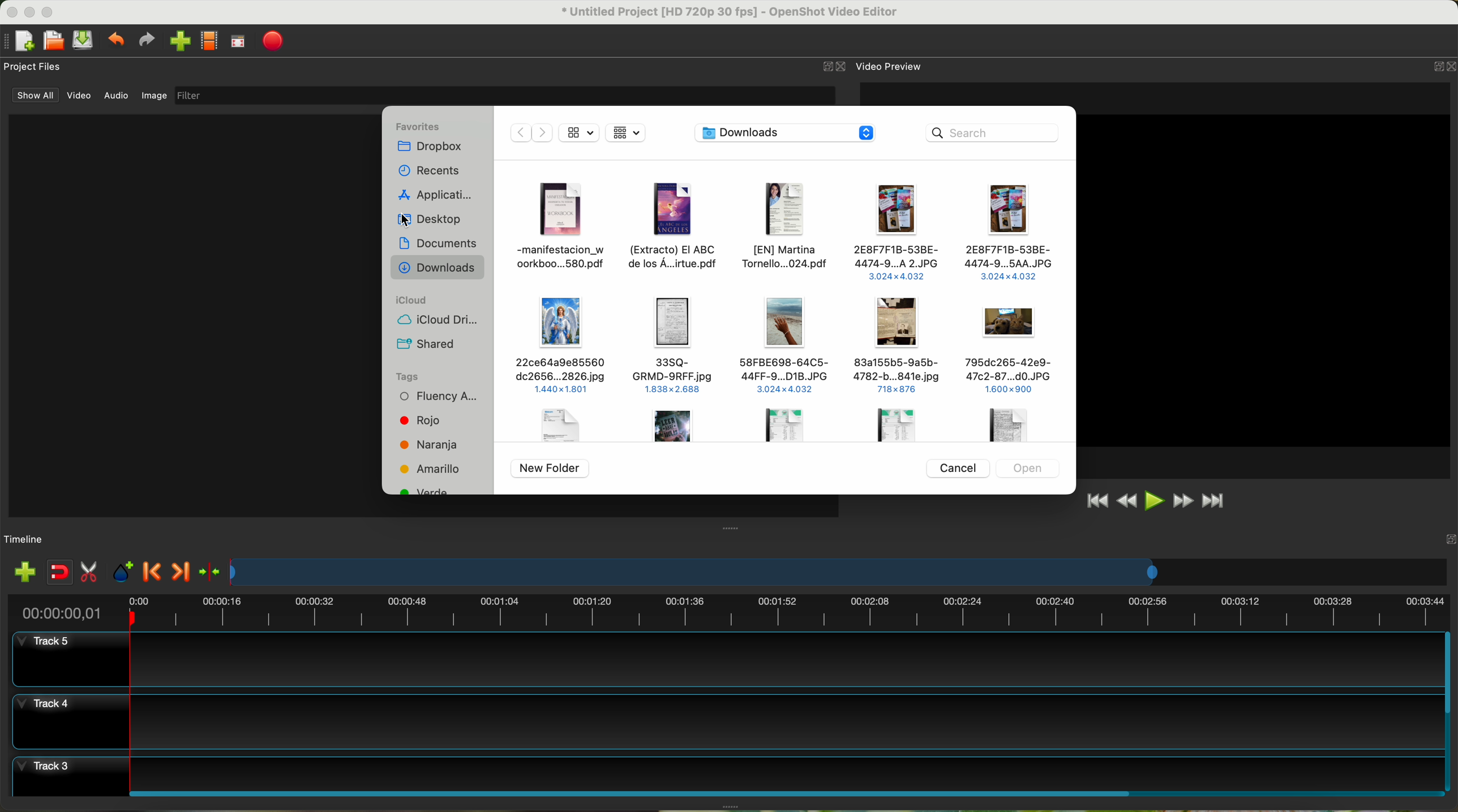 The width and height of the screenshot is (1458, 812). I want to click on maximize program, so click(49, 12).